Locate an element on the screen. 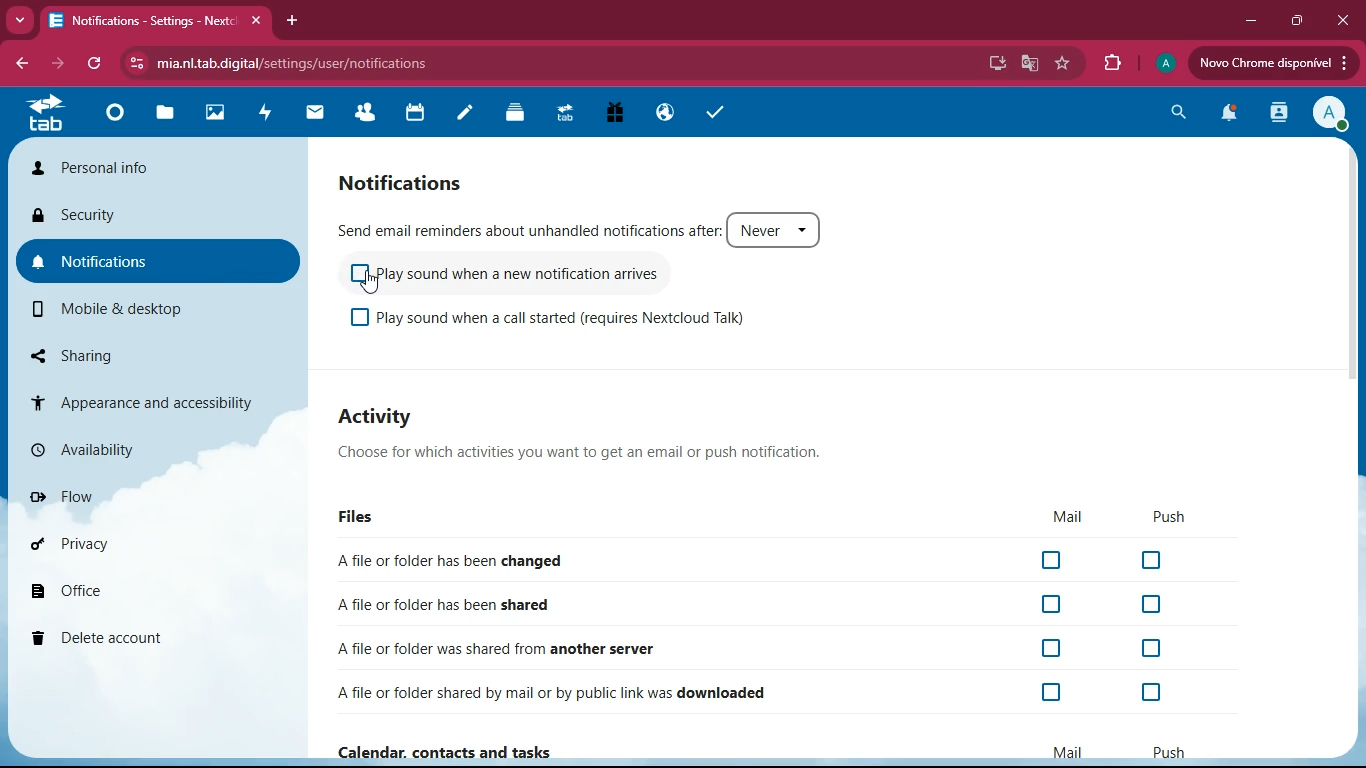 This screenshot has height=768, width=1366. off is located at coordinates (354, 276).